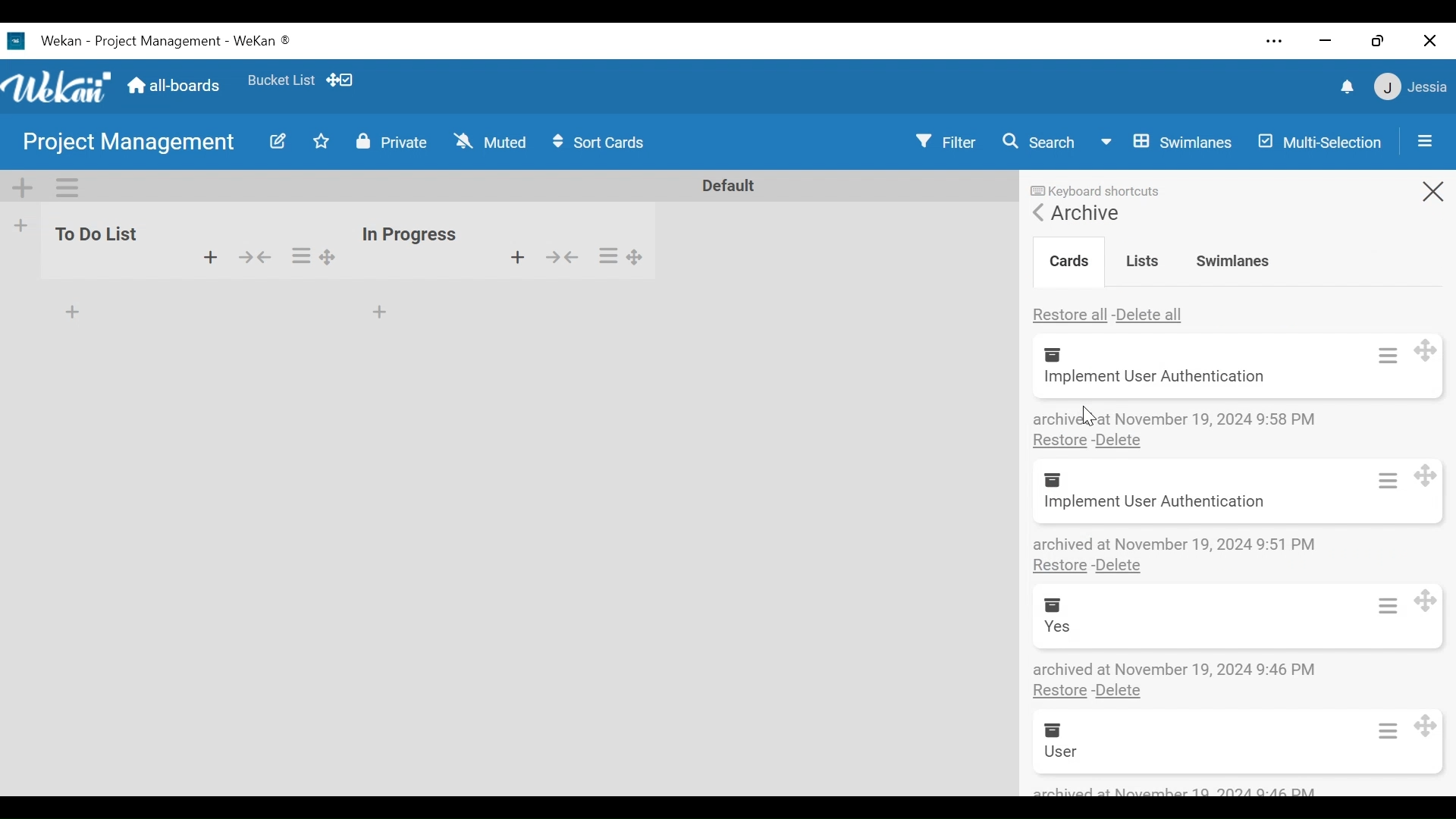 The image size is (1456, 819). Describe the element at coordinates (1431, 727) in the screenshot. I see `move` at that location.